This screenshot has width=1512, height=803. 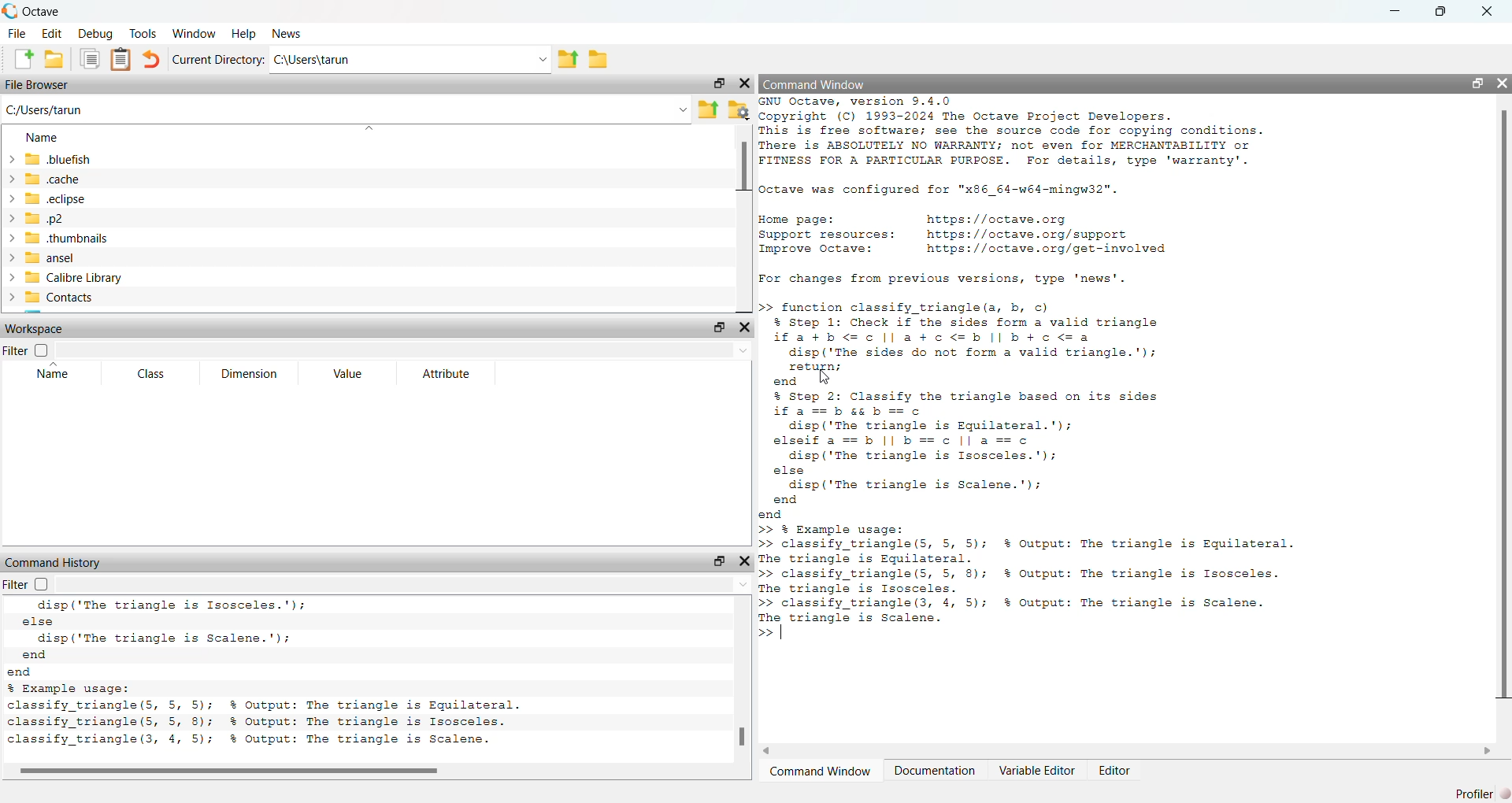 What do you see at coordinates (56, 300) in the screenshot?
I see `contacts` at bounding box center [56, 300].